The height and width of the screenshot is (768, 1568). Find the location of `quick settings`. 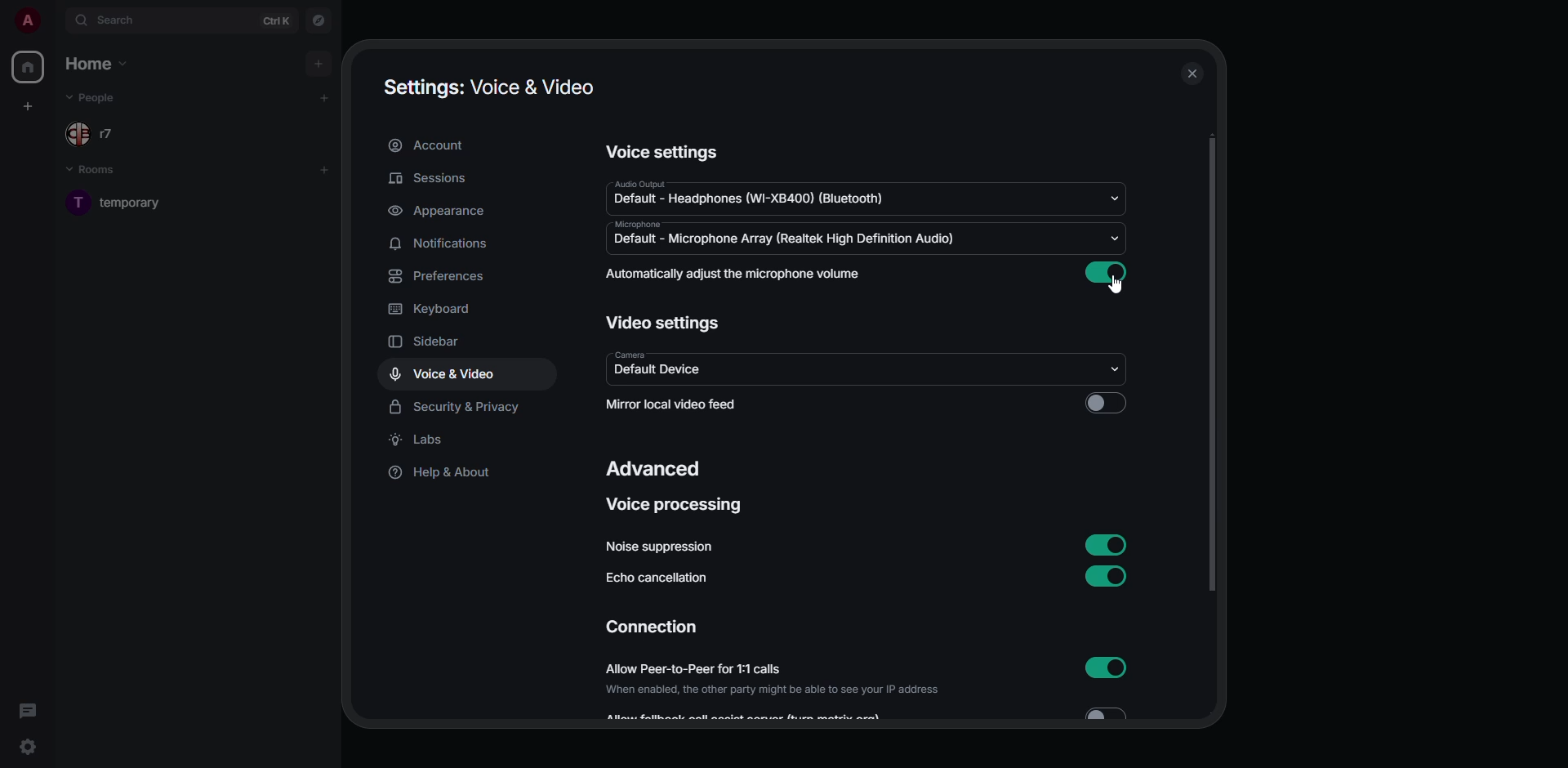

quick settings is located at coordinates (26, 745).